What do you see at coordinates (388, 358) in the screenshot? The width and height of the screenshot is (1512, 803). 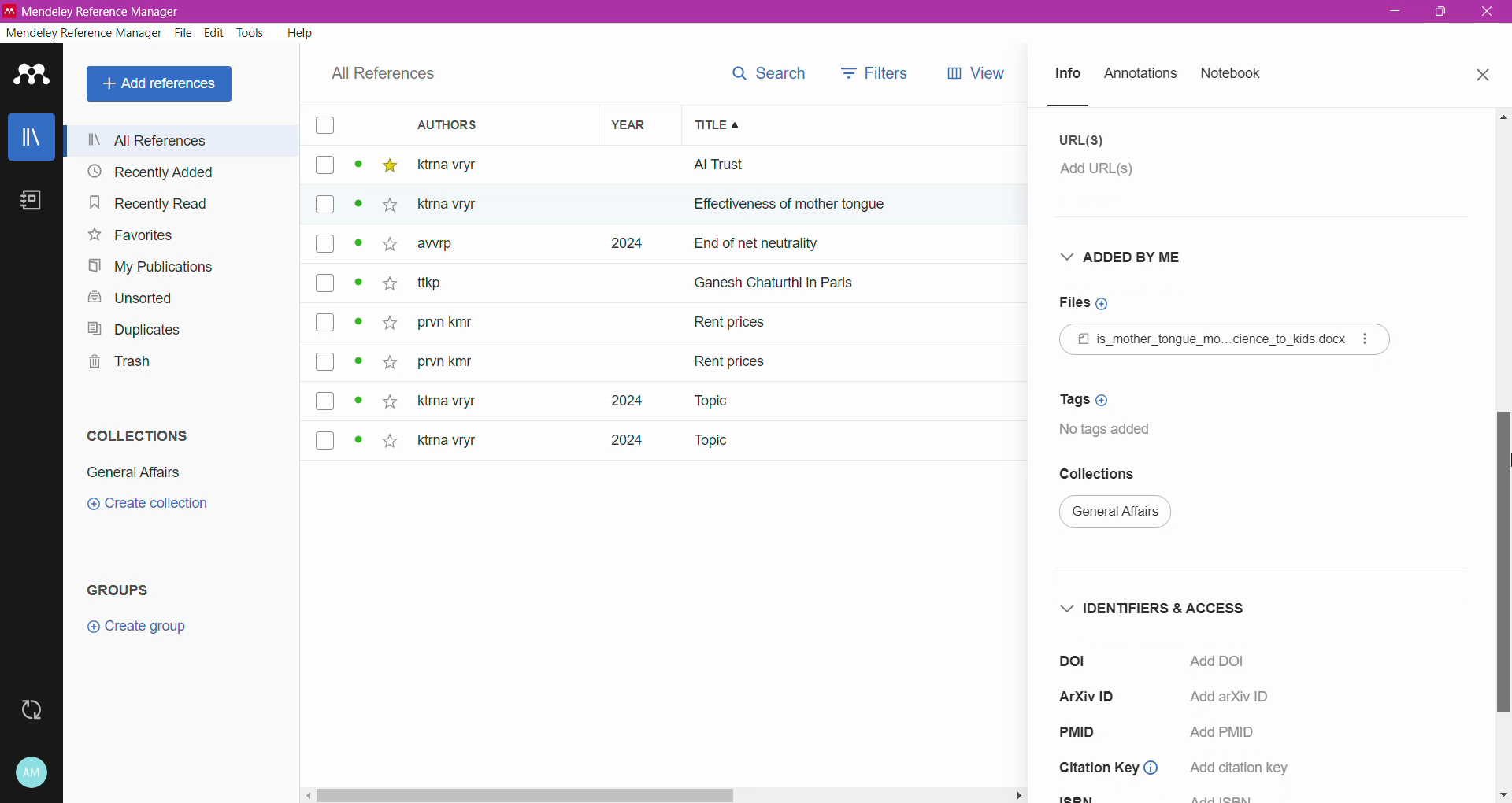 I see `star` at bounding box center [388, 358].